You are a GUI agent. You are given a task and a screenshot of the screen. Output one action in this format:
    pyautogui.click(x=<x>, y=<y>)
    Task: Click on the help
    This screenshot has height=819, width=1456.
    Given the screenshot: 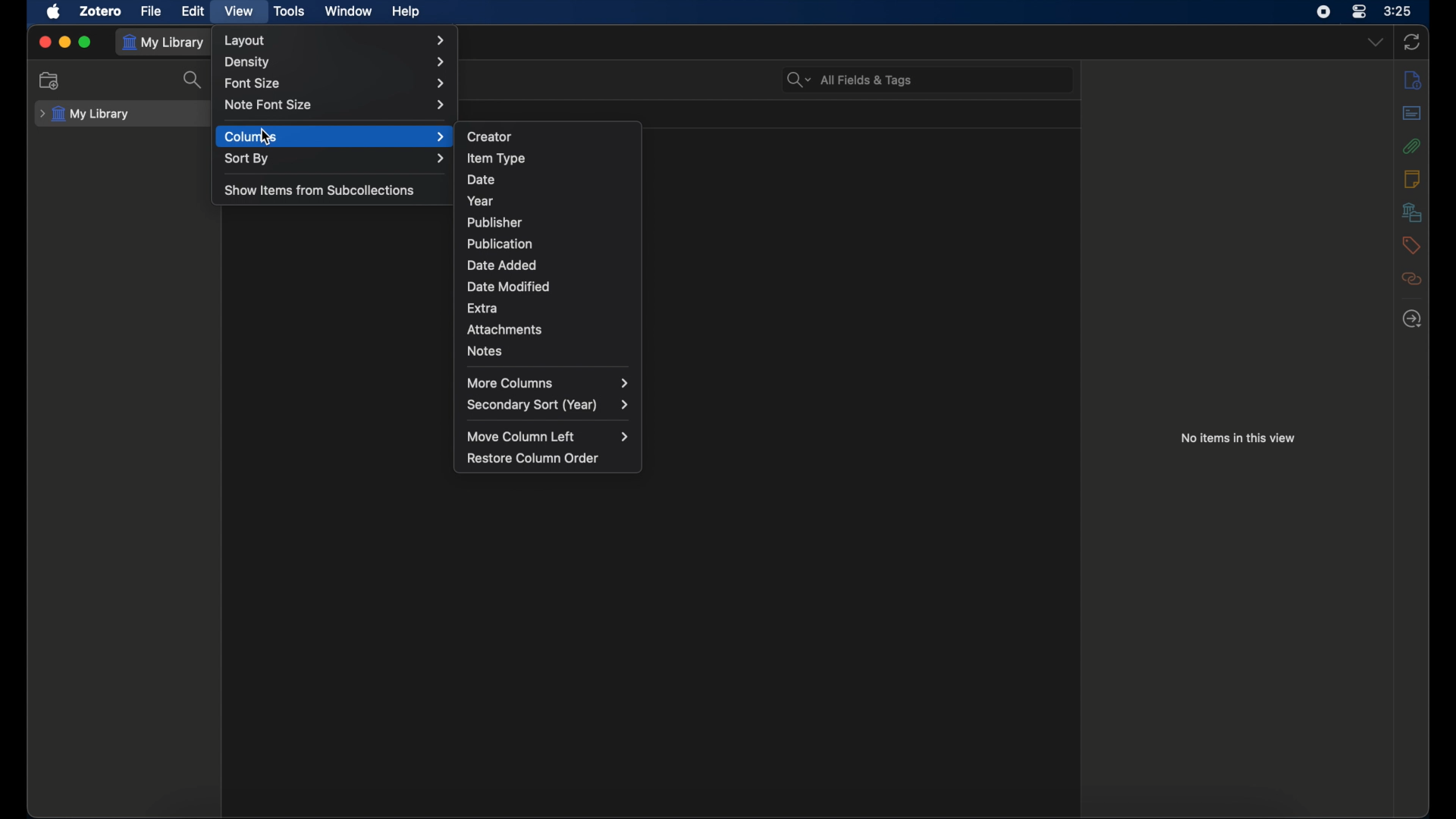 What is the action you would take?
    pyautogui.click(x=406, y=12)
    